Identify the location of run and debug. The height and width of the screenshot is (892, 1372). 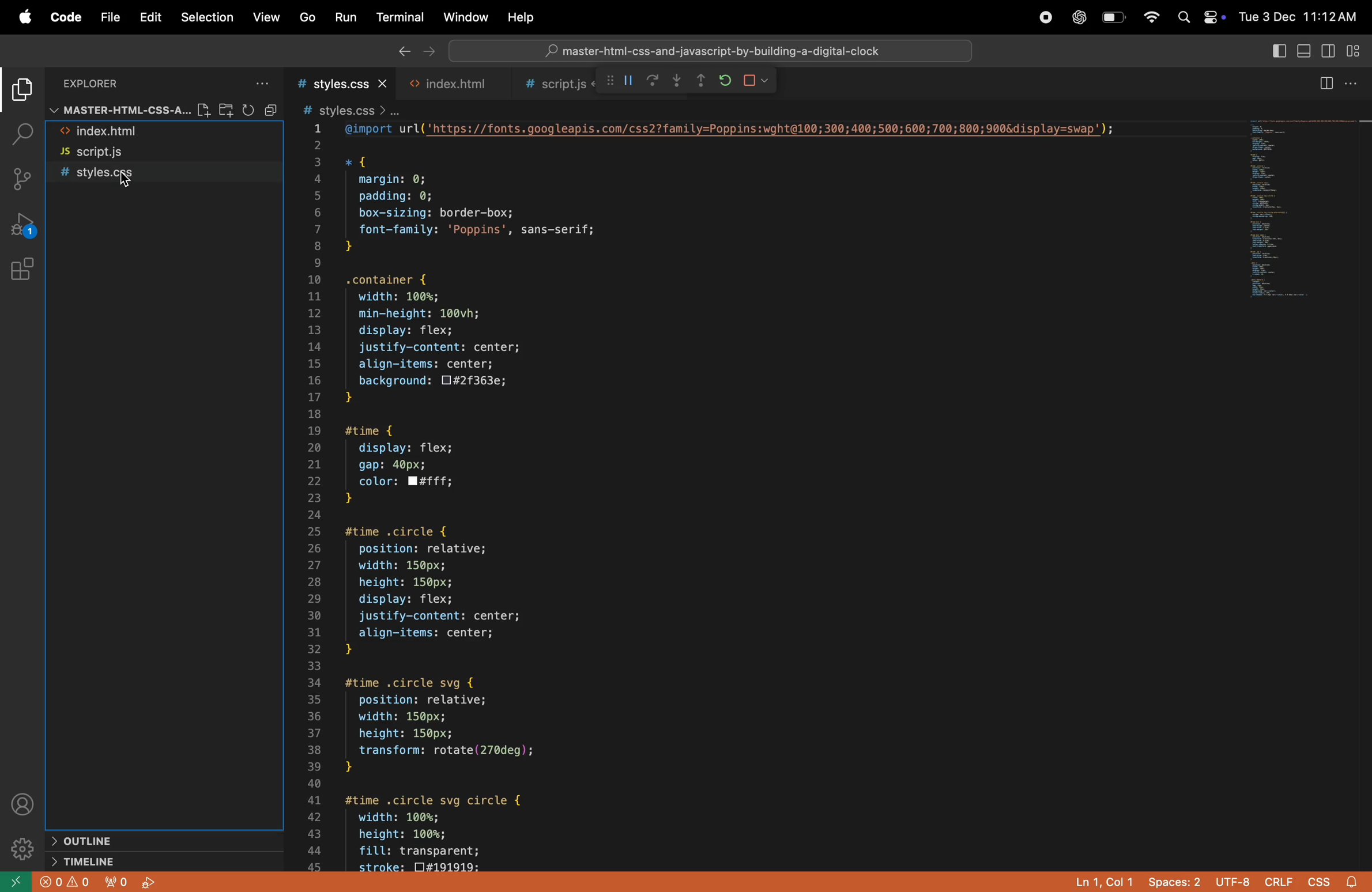
(26, 228).